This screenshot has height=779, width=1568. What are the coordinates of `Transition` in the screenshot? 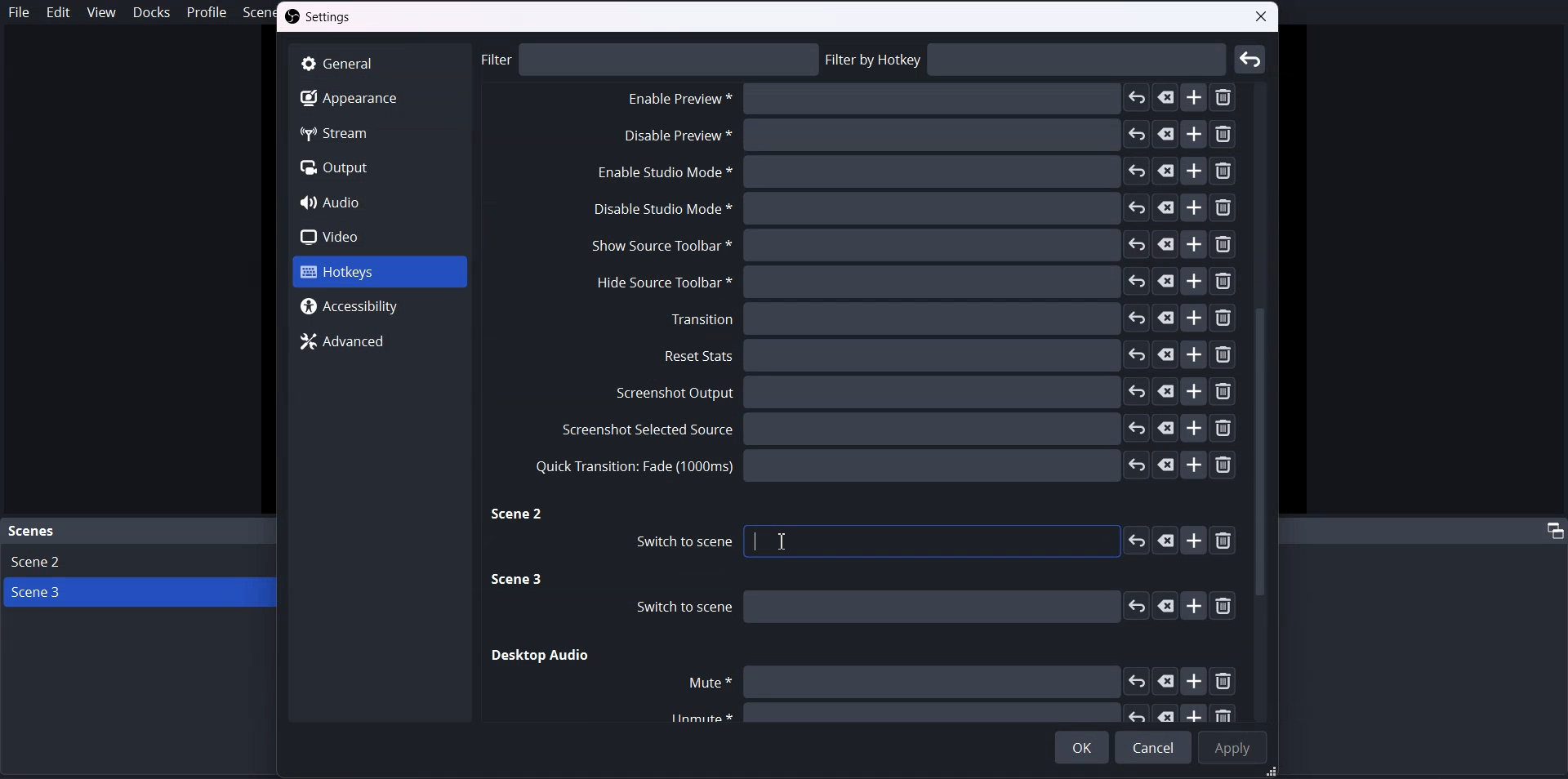 It's located at (951, 318).